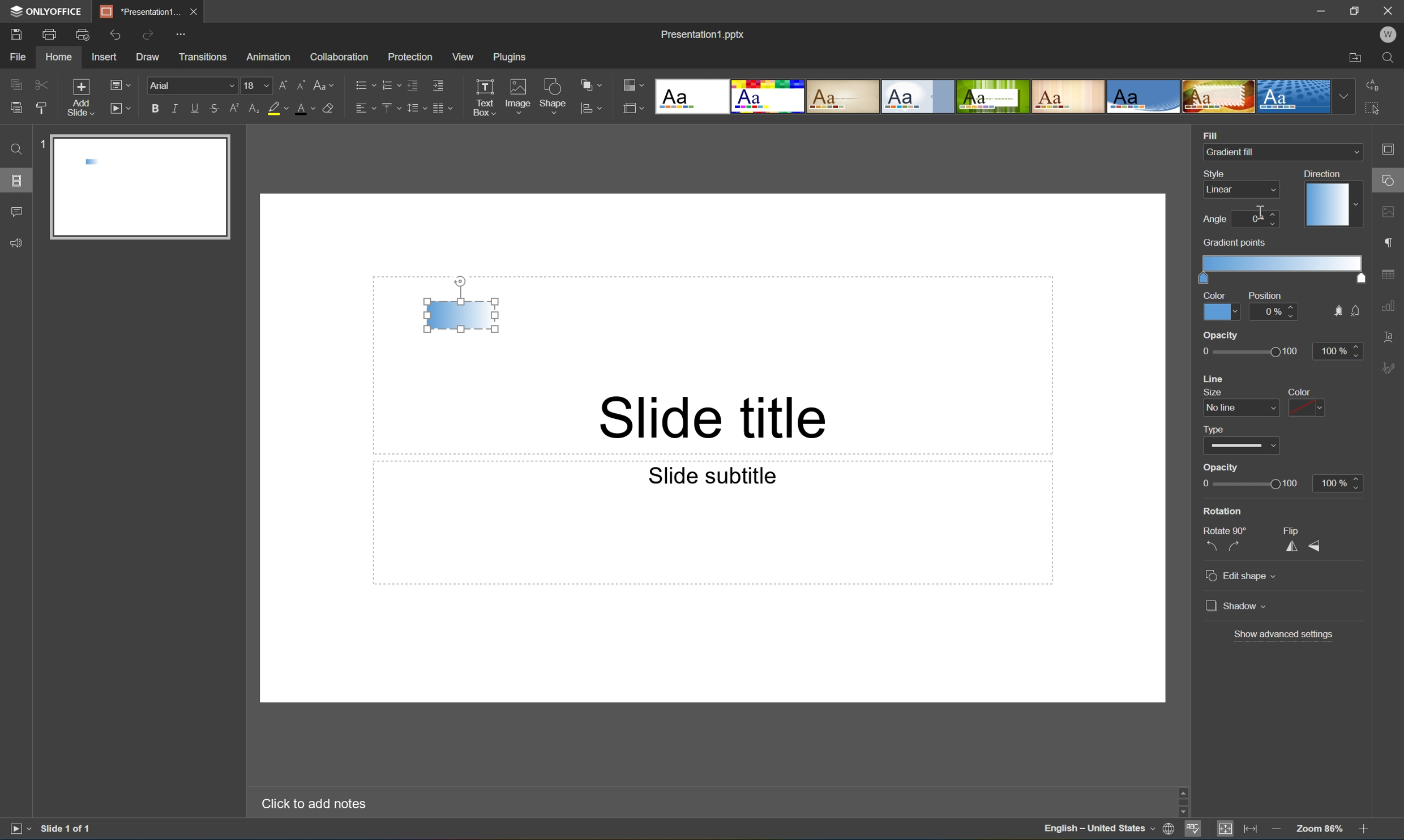 Image resolution: width=1404 pixels, height=840 pixels. I want to click on Slide subtitle, so click(709, 474).